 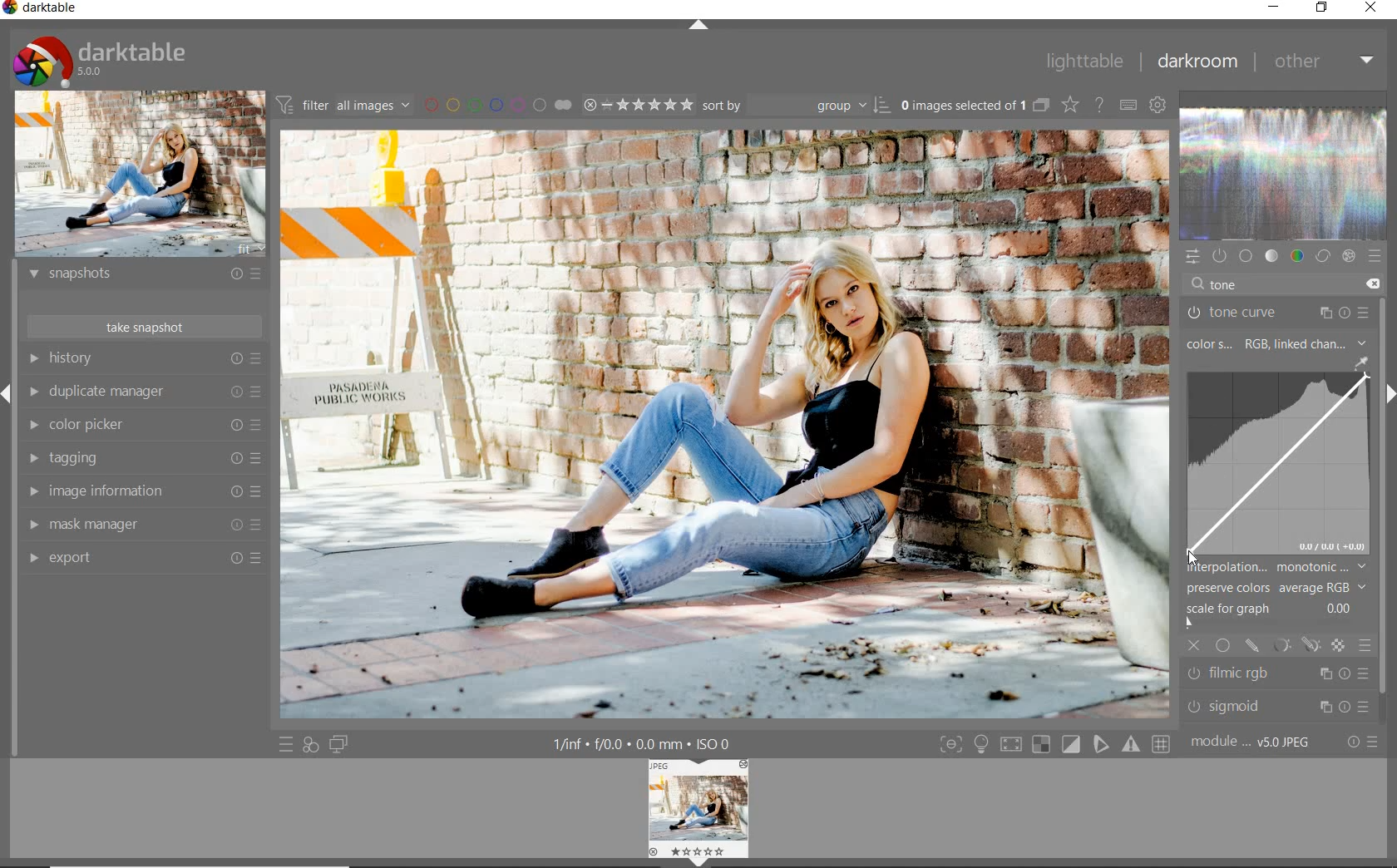 What do you see at coordinates (1294, 646) in the screenshot?
I see `mask options` at bounding box center [1294, 646].